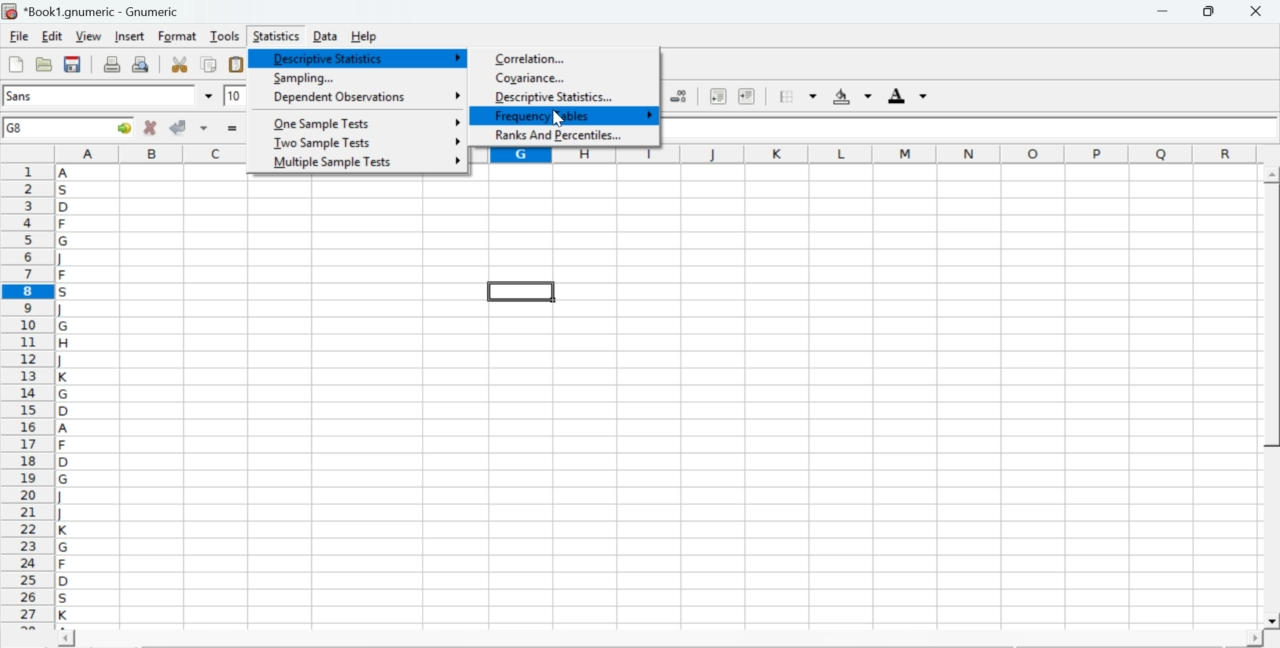  I want to click on cut, so click(179, 64).